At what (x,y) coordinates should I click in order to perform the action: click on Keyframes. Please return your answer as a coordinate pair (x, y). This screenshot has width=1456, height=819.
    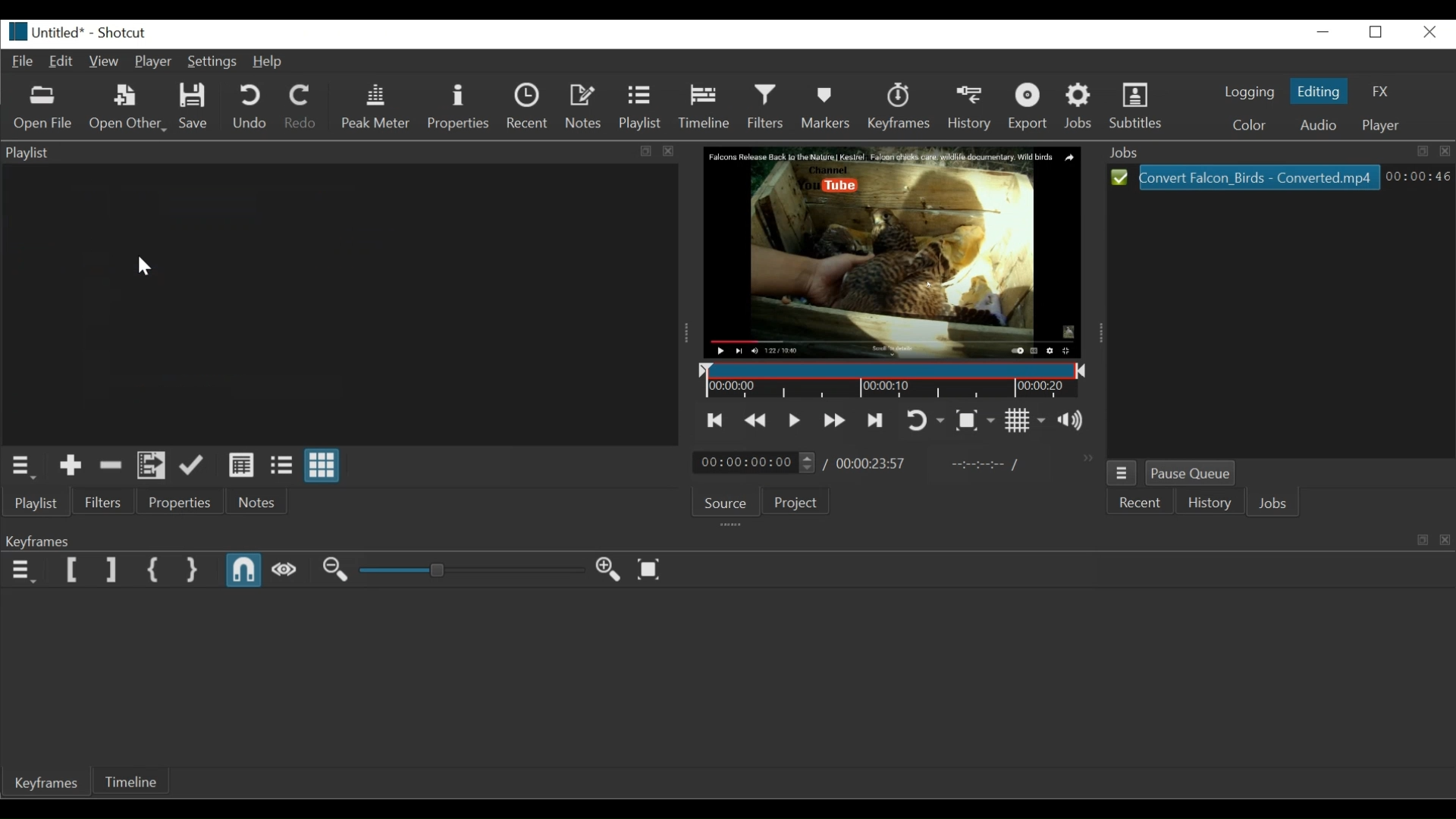
    Looking at the image, I should click on (899, 106).